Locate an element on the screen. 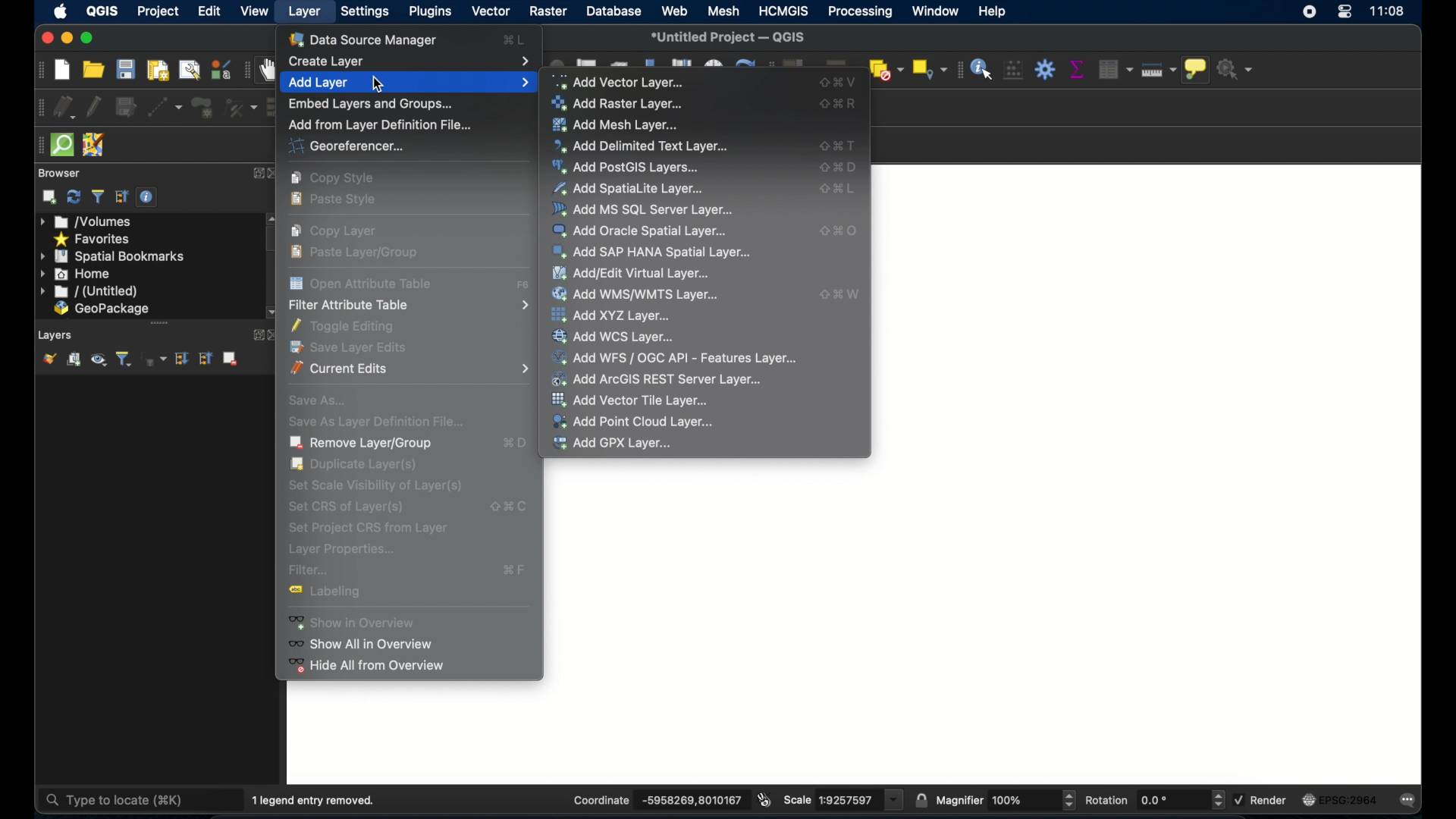 The image size is (1456, 819). add sap Hana spatial layer is located at coordinates (652, 253).